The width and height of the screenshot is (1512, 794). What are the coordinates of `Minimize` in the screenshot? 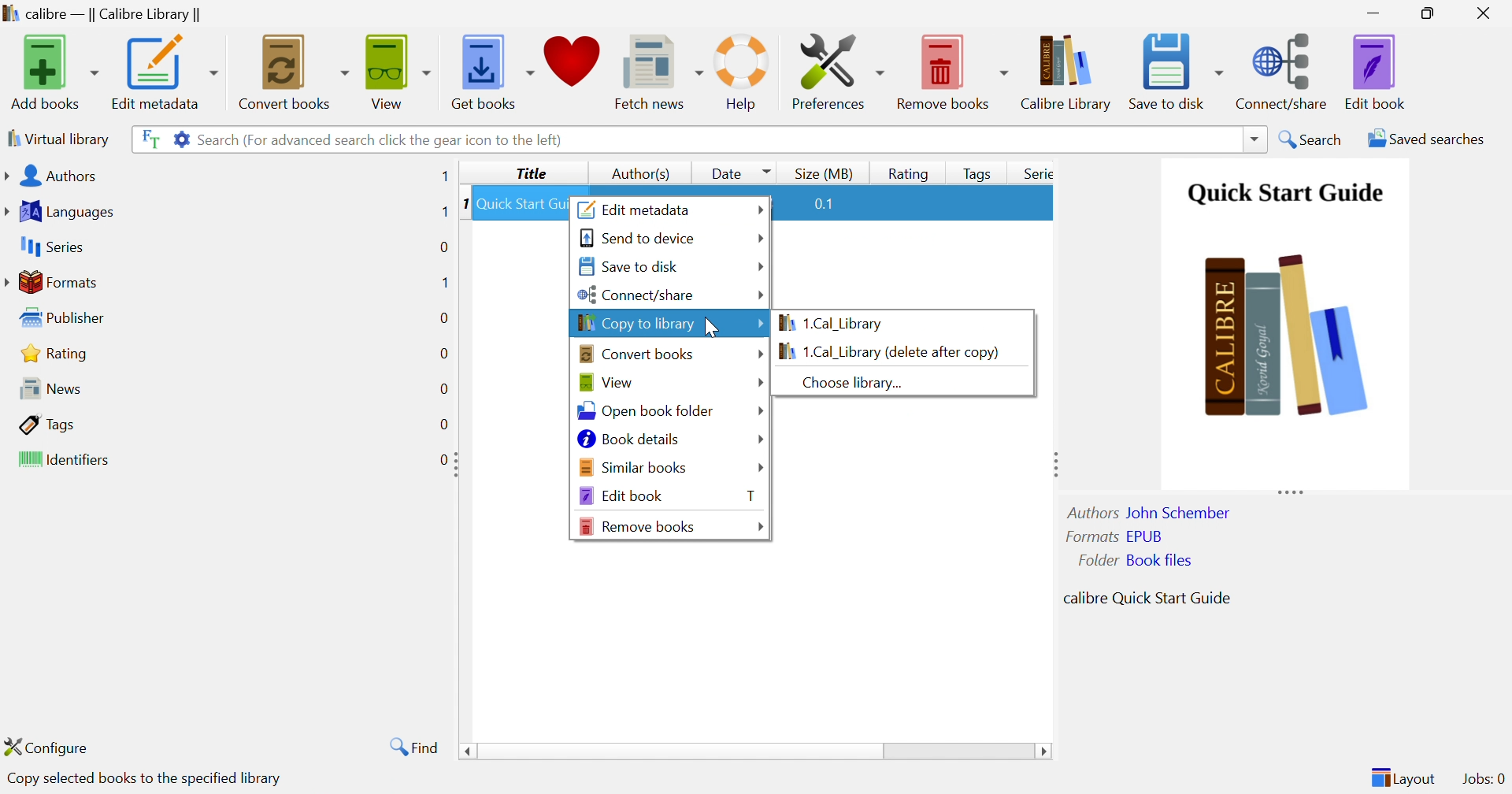 It's located at (1377, 11).